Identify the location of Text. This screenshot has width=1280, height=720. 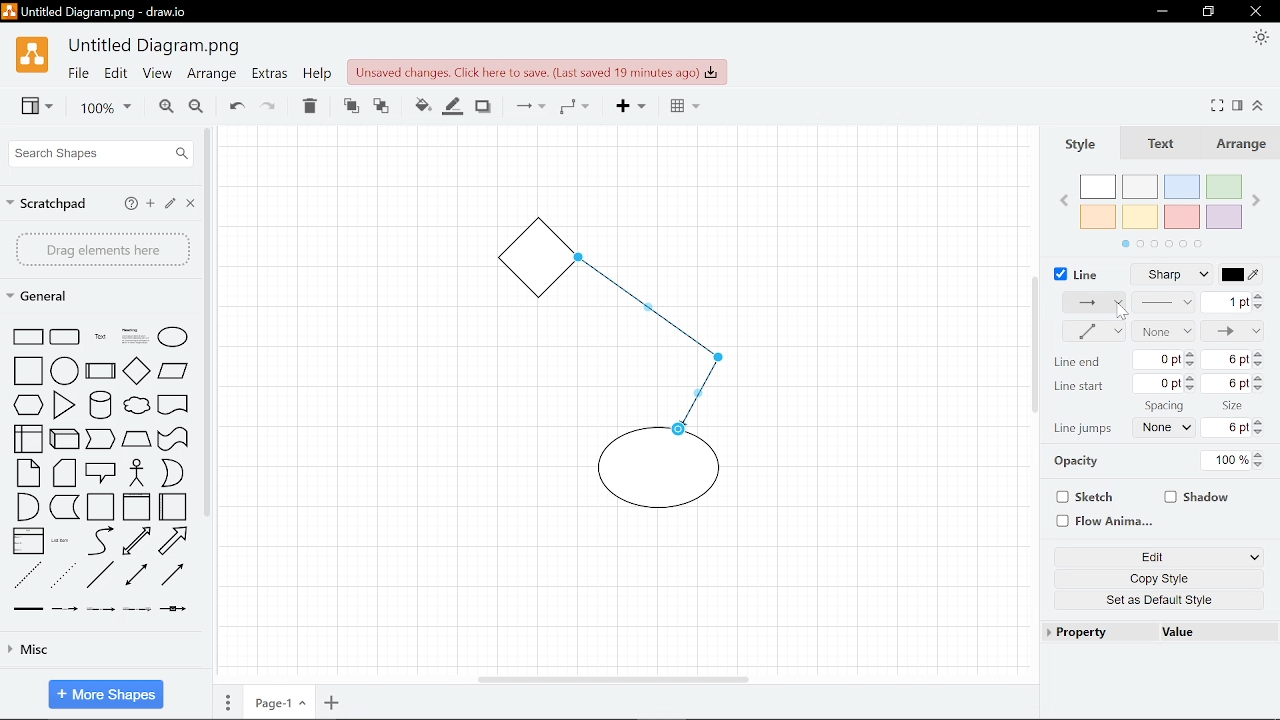
(1165, 146).